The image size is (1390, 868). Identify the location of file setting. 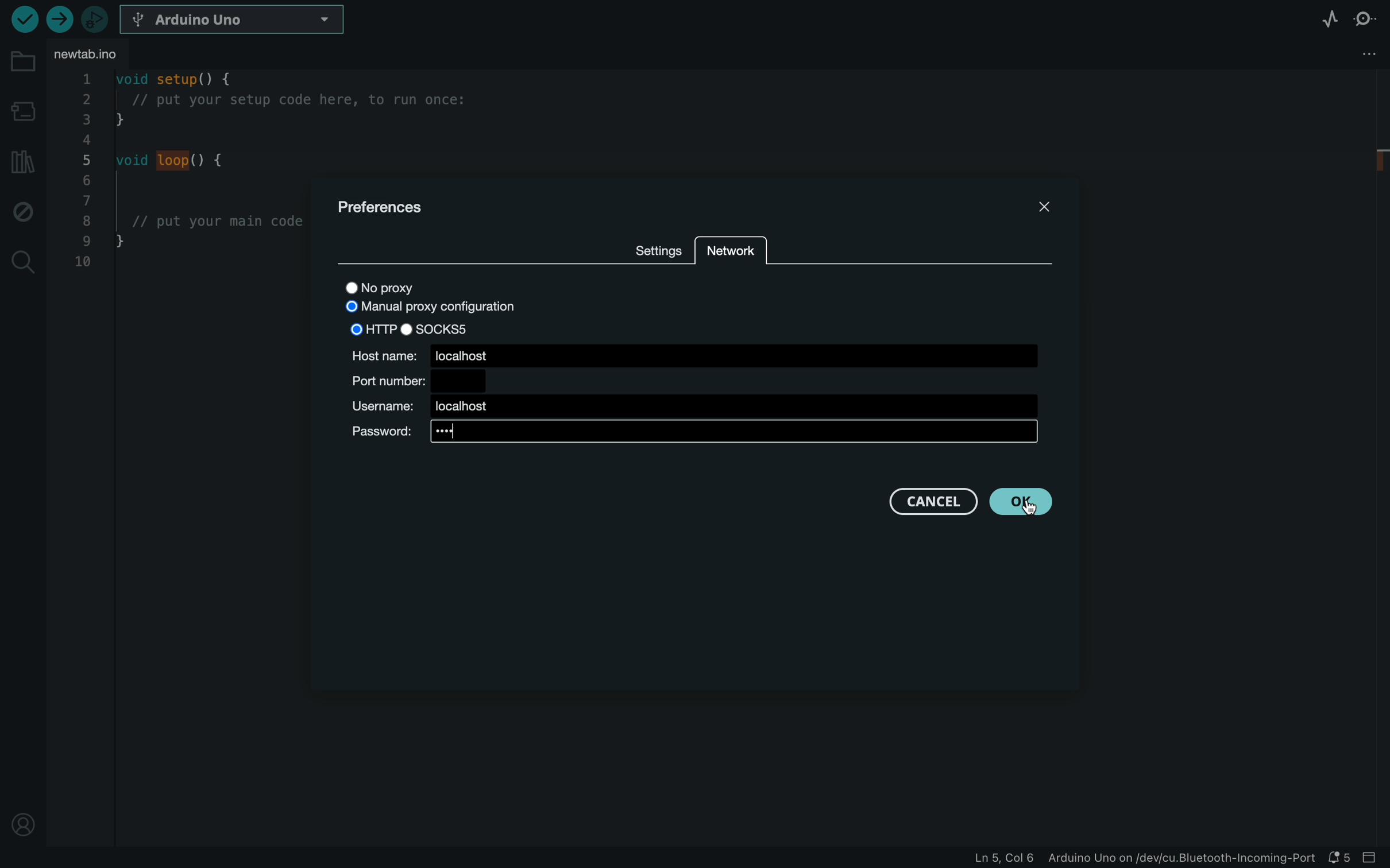
(1346, 55).